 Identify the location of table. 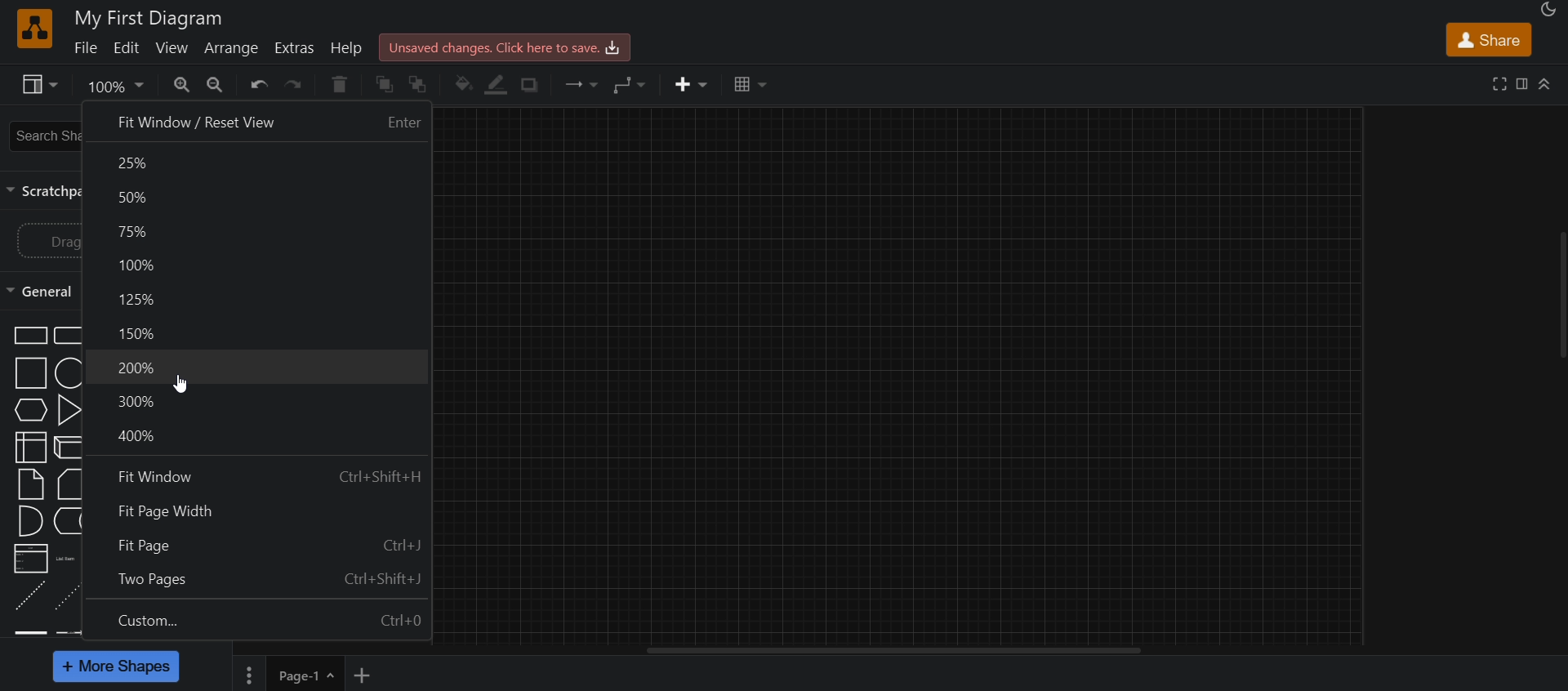
(748, 86).